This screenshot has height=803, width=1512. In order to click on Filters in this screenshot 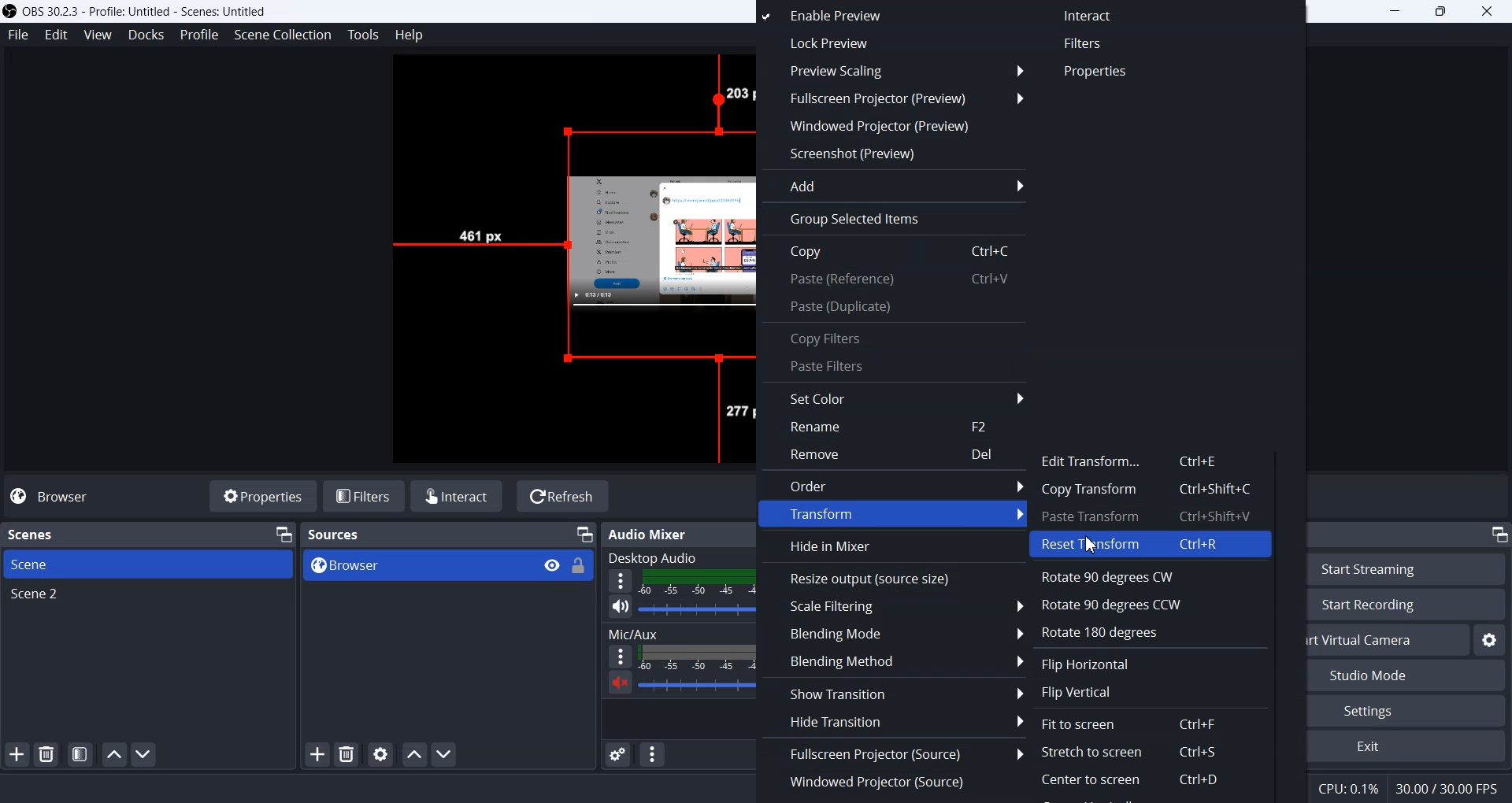, I will do `click(1085, 43)`.